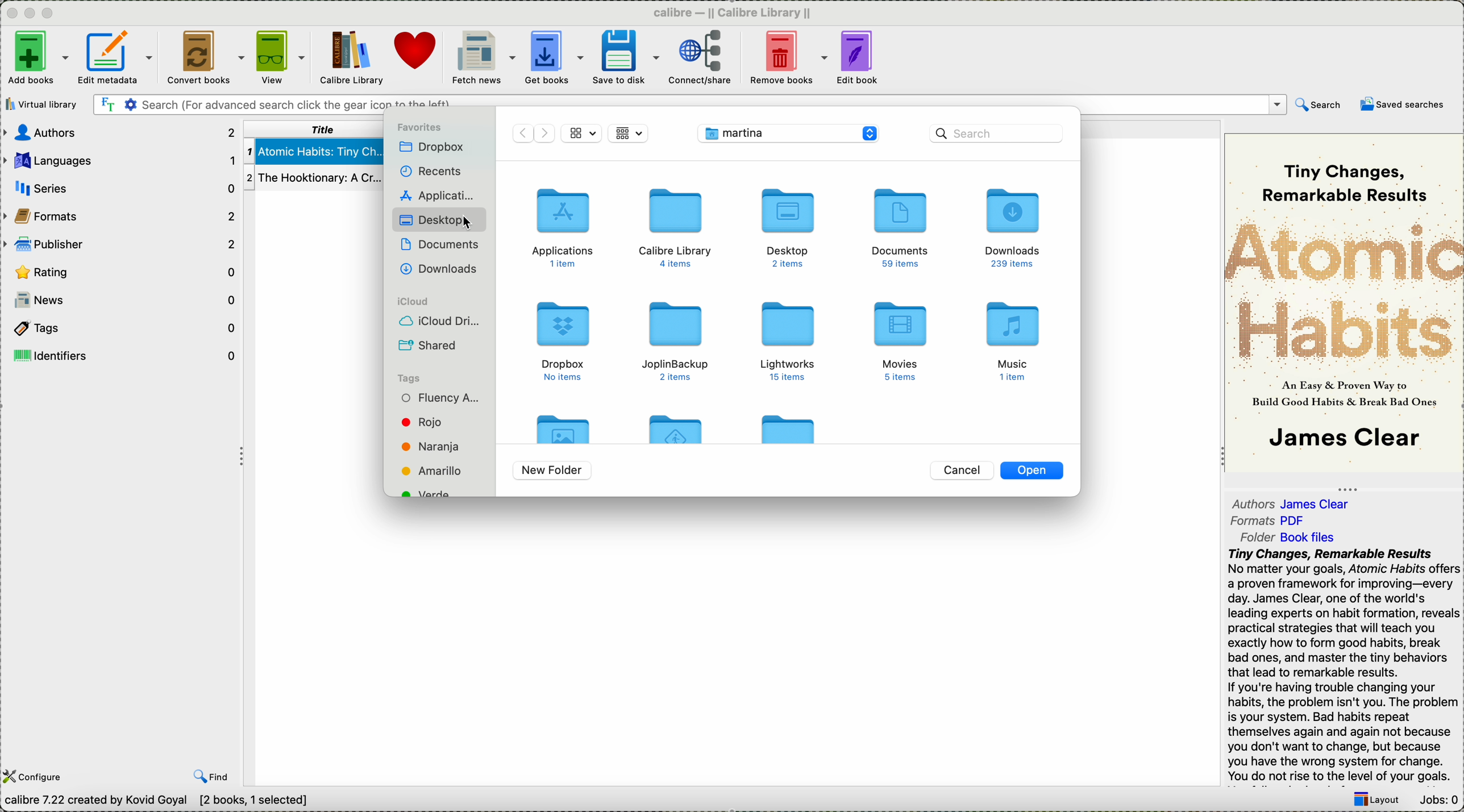  I want to click on recents, so click(430, 171).